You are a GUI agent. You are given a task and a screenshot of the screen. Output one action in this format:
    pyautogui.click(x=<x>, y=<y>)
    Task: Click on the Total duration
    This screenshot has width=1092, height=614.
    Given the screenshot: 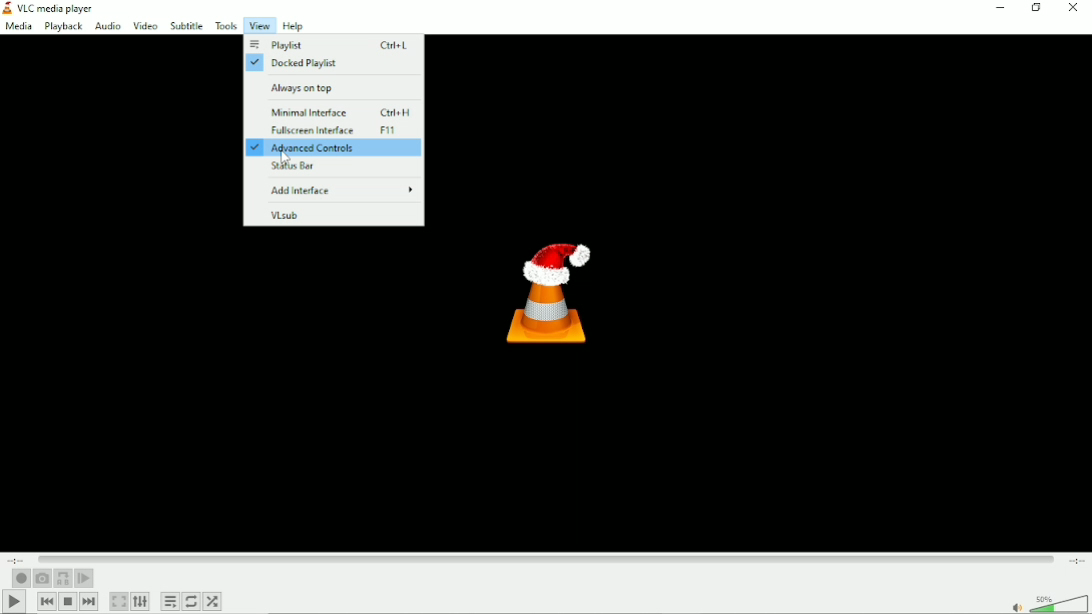 What is the action you would take?
    pyautogui.click(x=1076, y=560)
    